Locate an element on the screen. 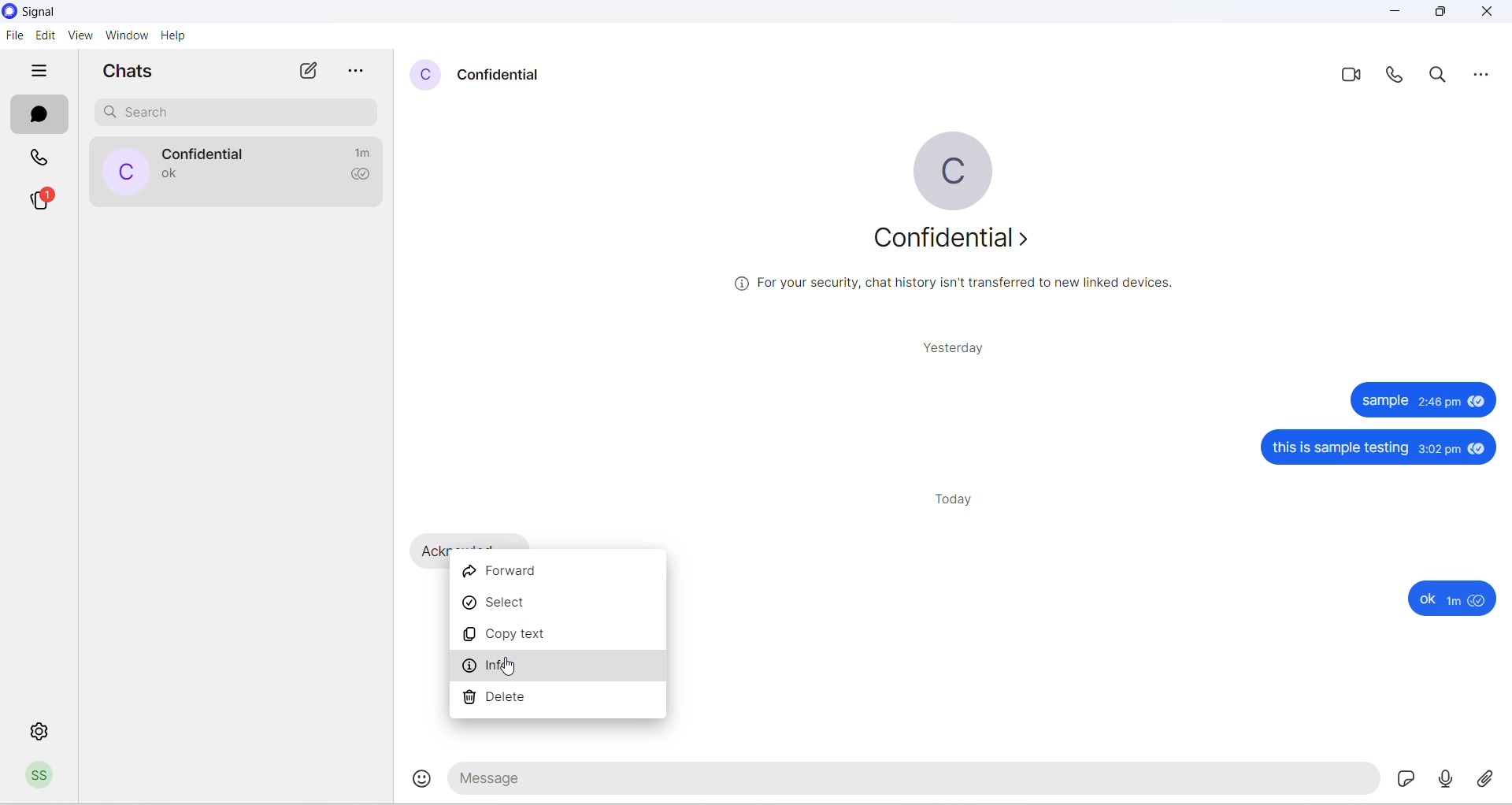  hide is located at coordinates (37, 70).